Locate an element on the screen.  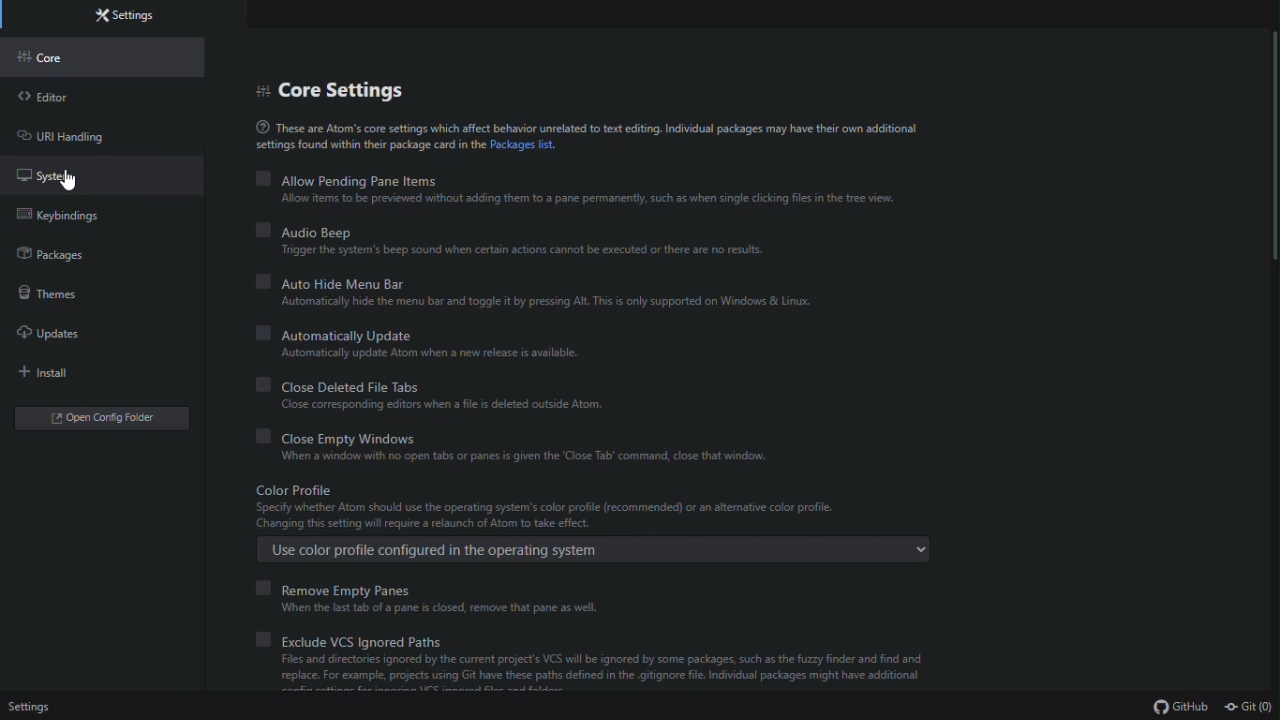
Editor is located at coordinates (57, 96).